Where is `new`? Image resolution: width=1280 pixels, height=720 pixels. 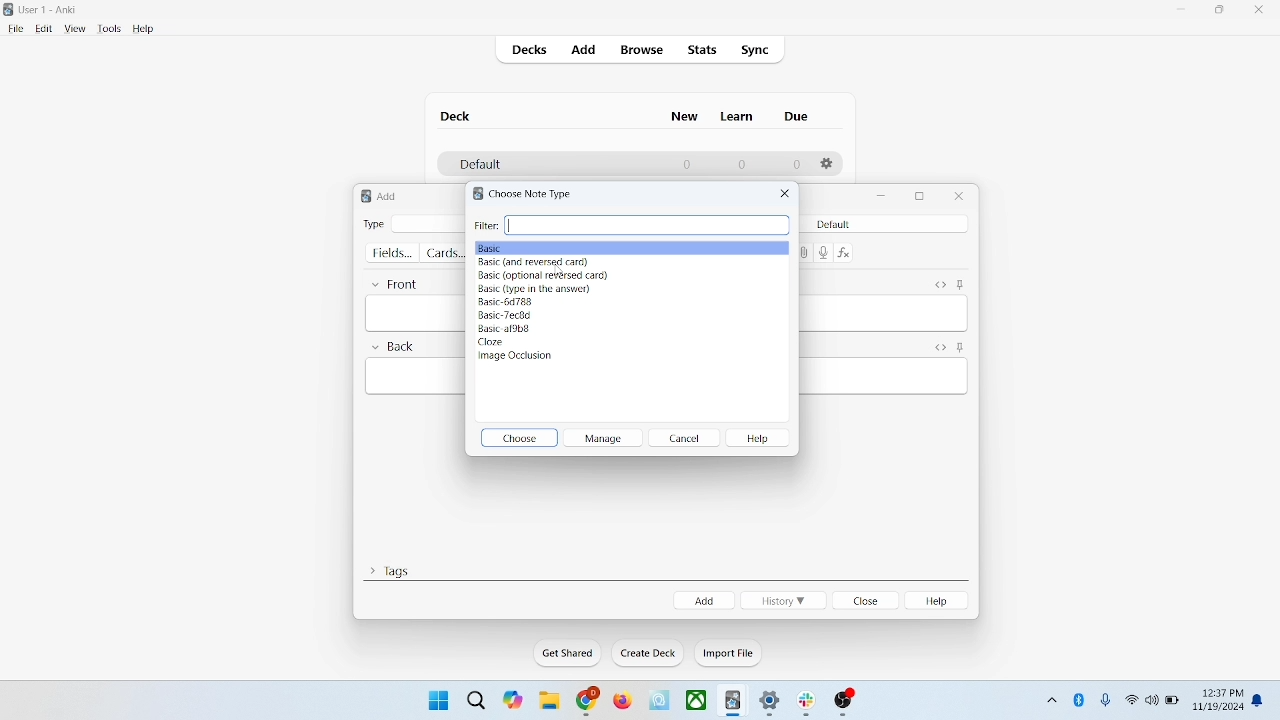 new is located at coordinates (685, 116).